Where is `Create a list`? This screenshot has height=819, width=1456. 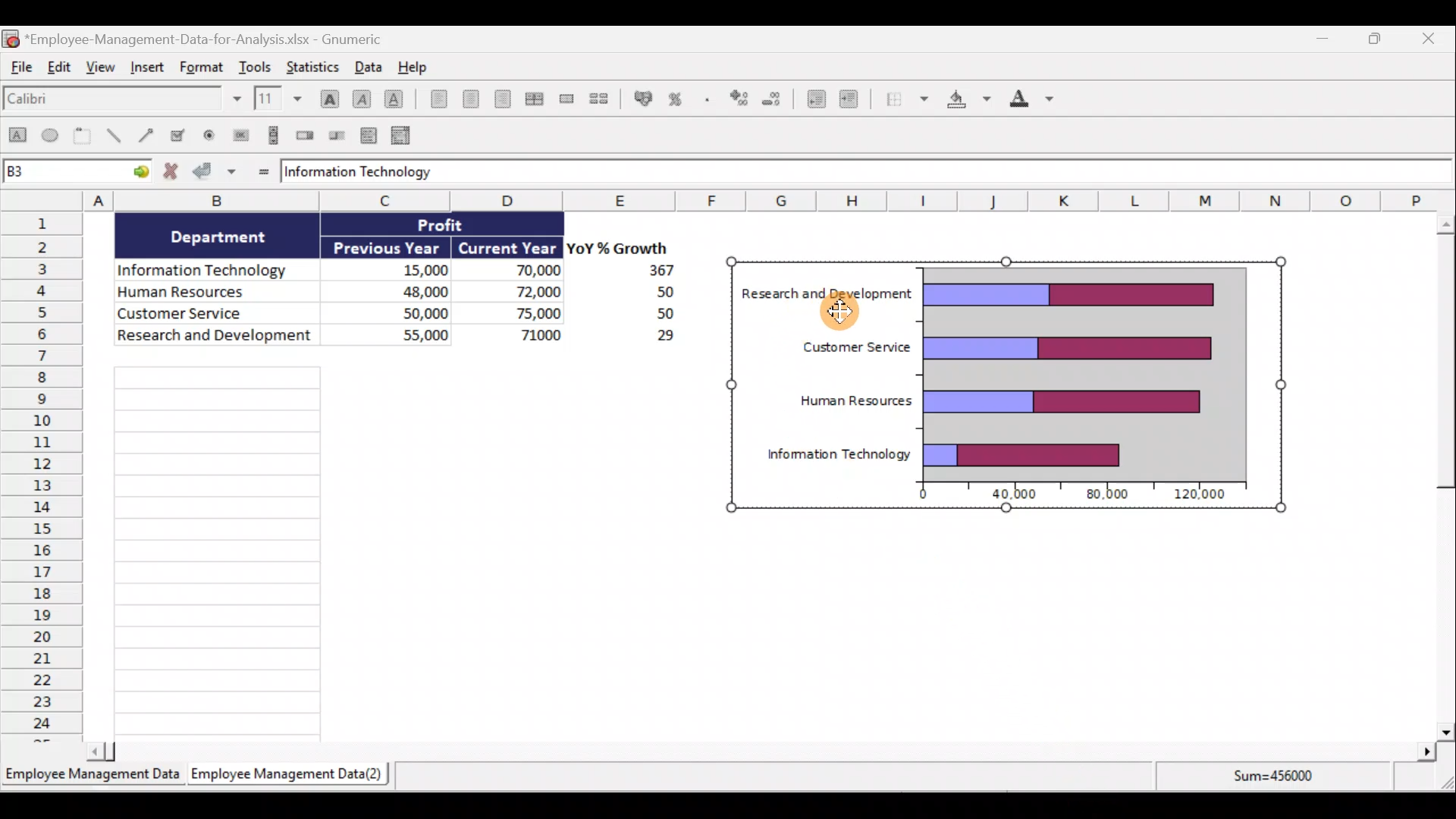 Create a list is located at coordinates (367, 137).